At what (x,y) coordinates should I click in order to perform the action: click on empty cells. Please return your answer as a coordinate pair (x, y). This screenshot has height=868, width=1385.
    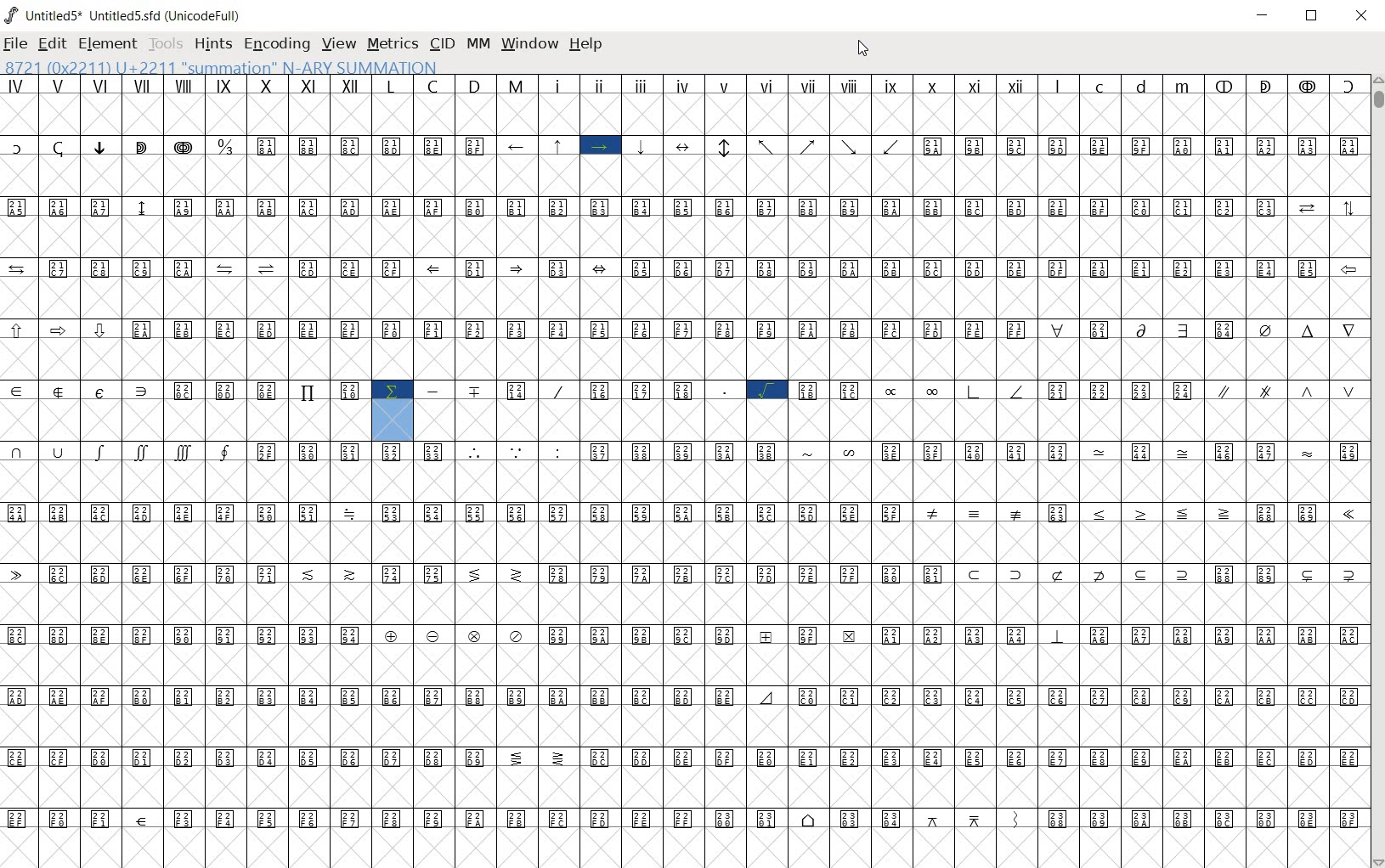
    Looking at the image, I should click on (687, 179).